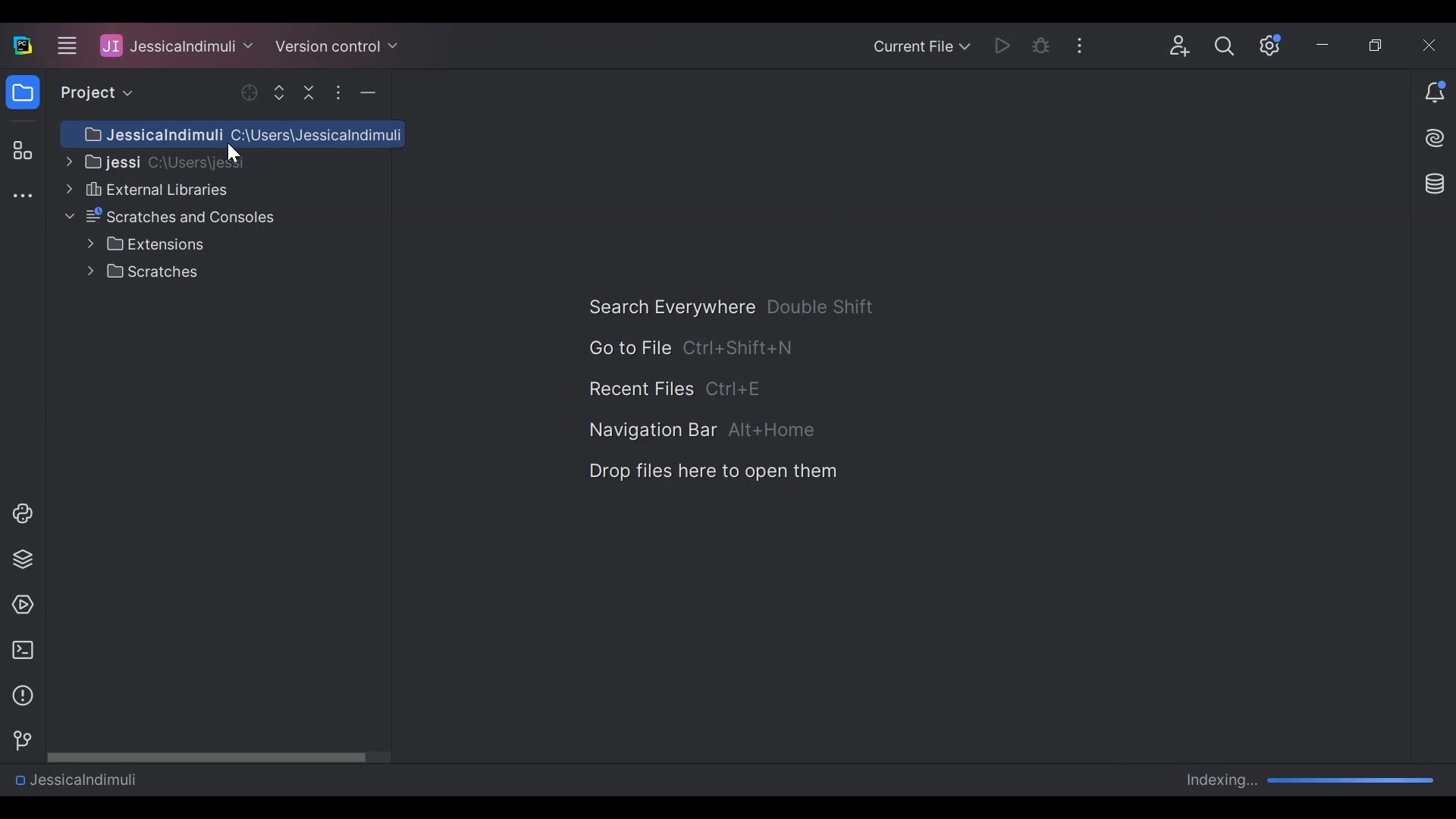 This screenshot has height=819, width=1456. I want to click on Project Name, so click(75, 779).